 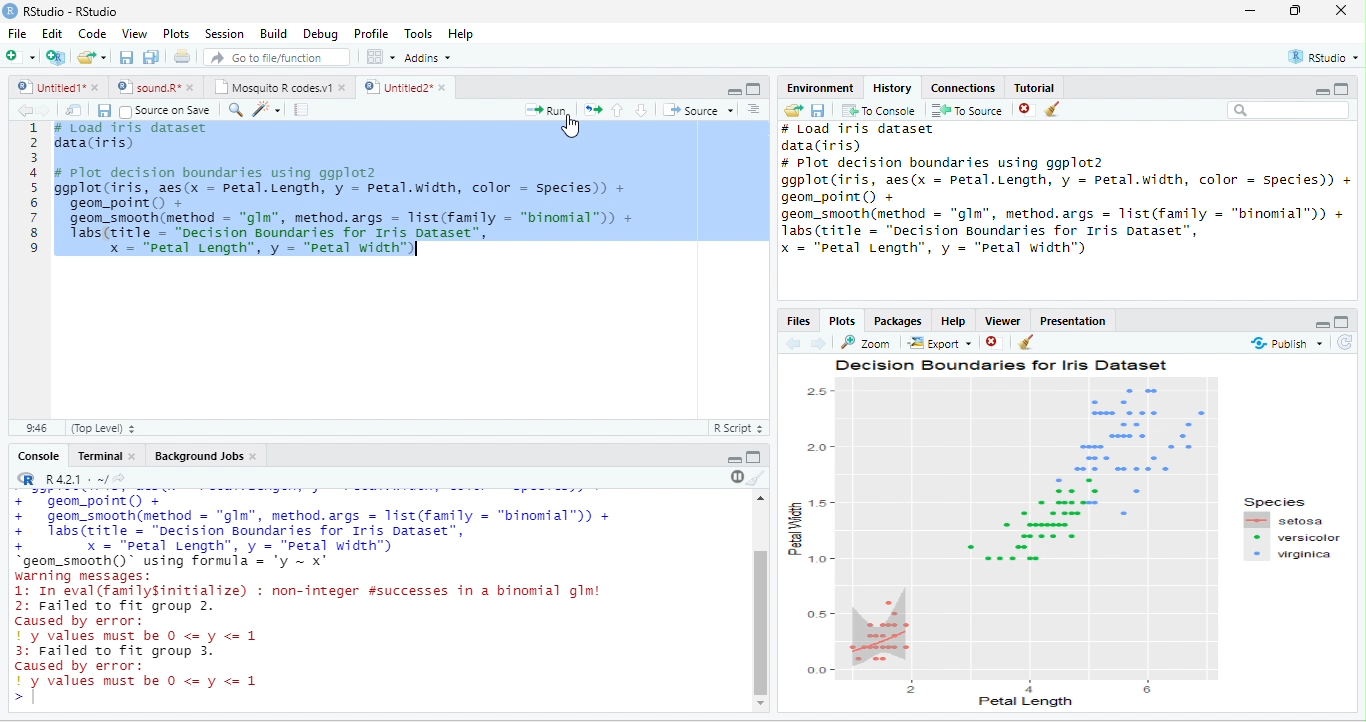 I want to click on minimize, so click(x=735, y=460).